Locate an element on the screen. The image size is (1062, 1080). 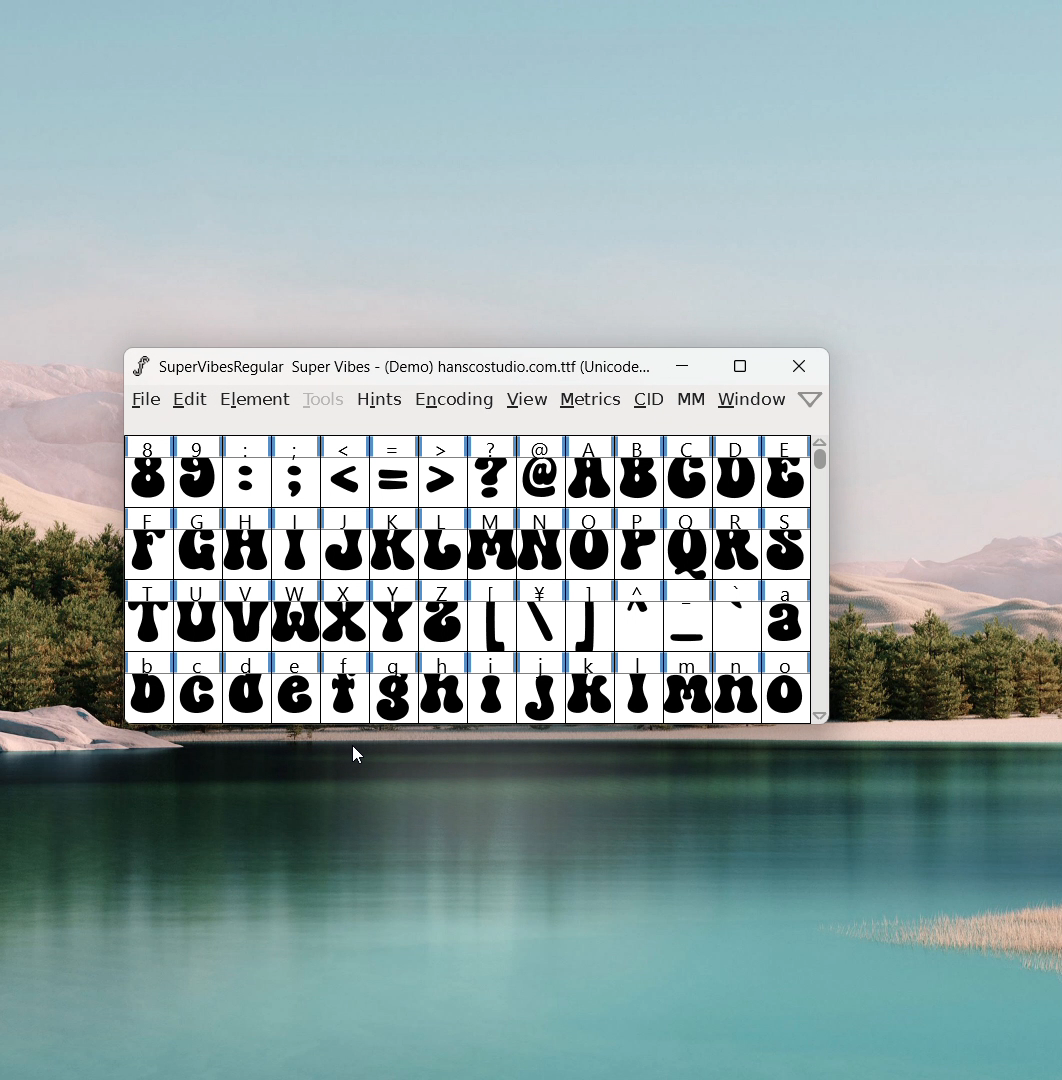
element is located at coordinates (254, 399).